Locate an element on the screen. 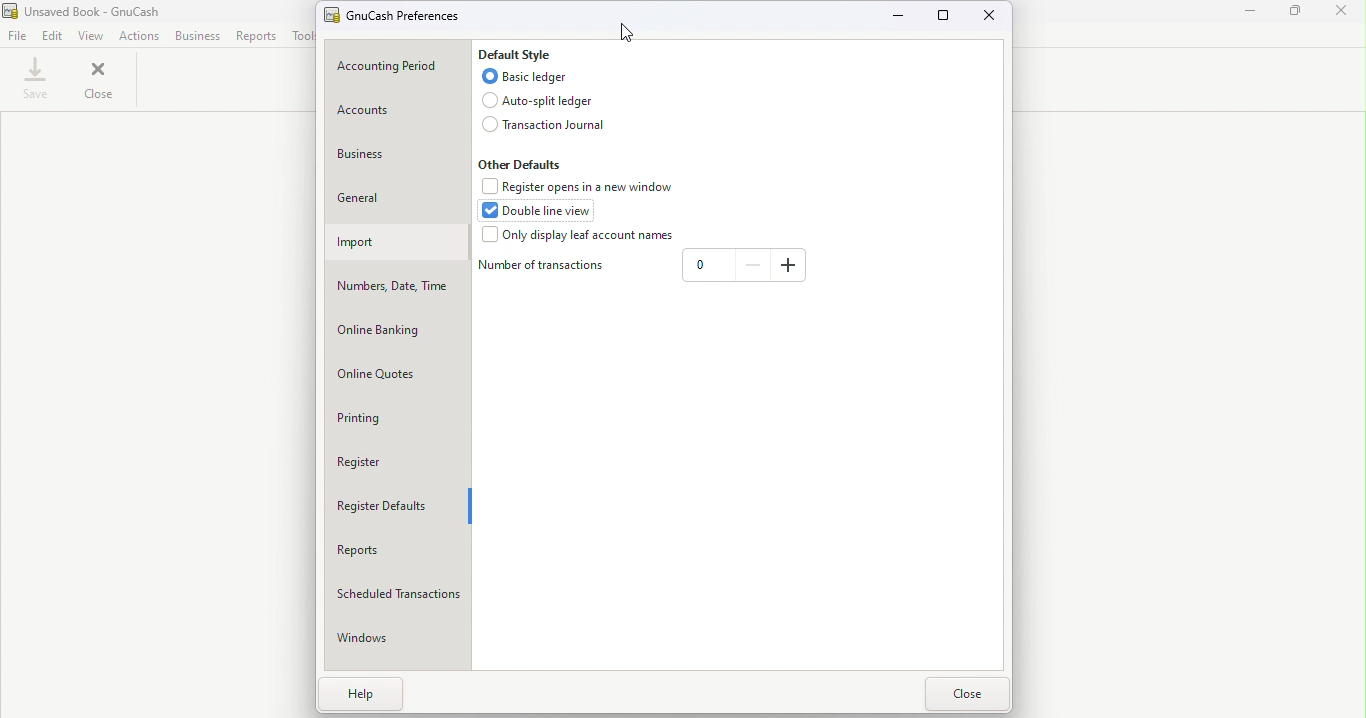  cursor is located at coordinates (624, 32).